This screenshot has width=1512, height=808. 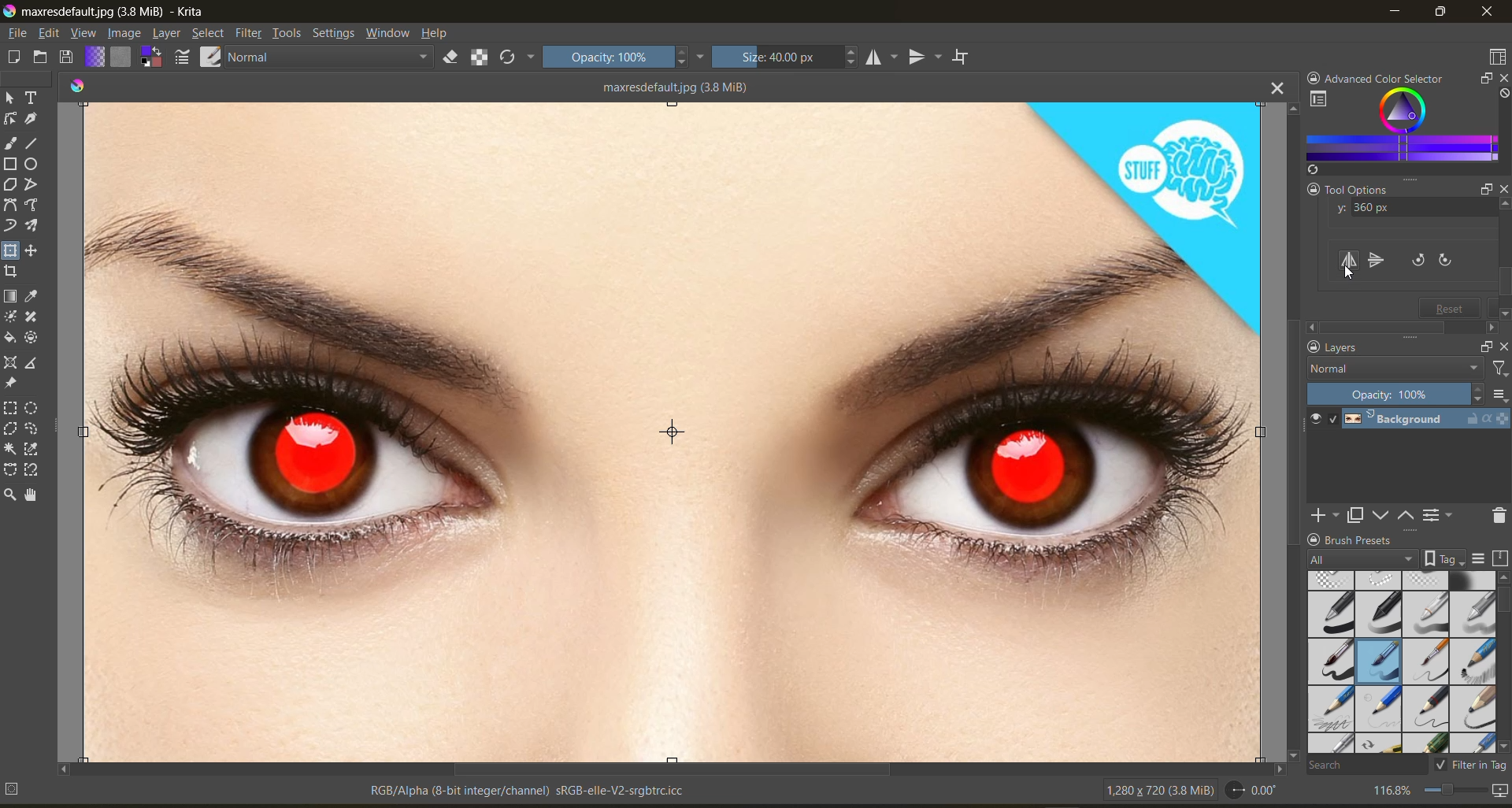 What do you see at coordinates (672, 86) in the screenshot?
I see `maxresdefault.jpg (3.8 MiB)` at bounding box center [672, 86].